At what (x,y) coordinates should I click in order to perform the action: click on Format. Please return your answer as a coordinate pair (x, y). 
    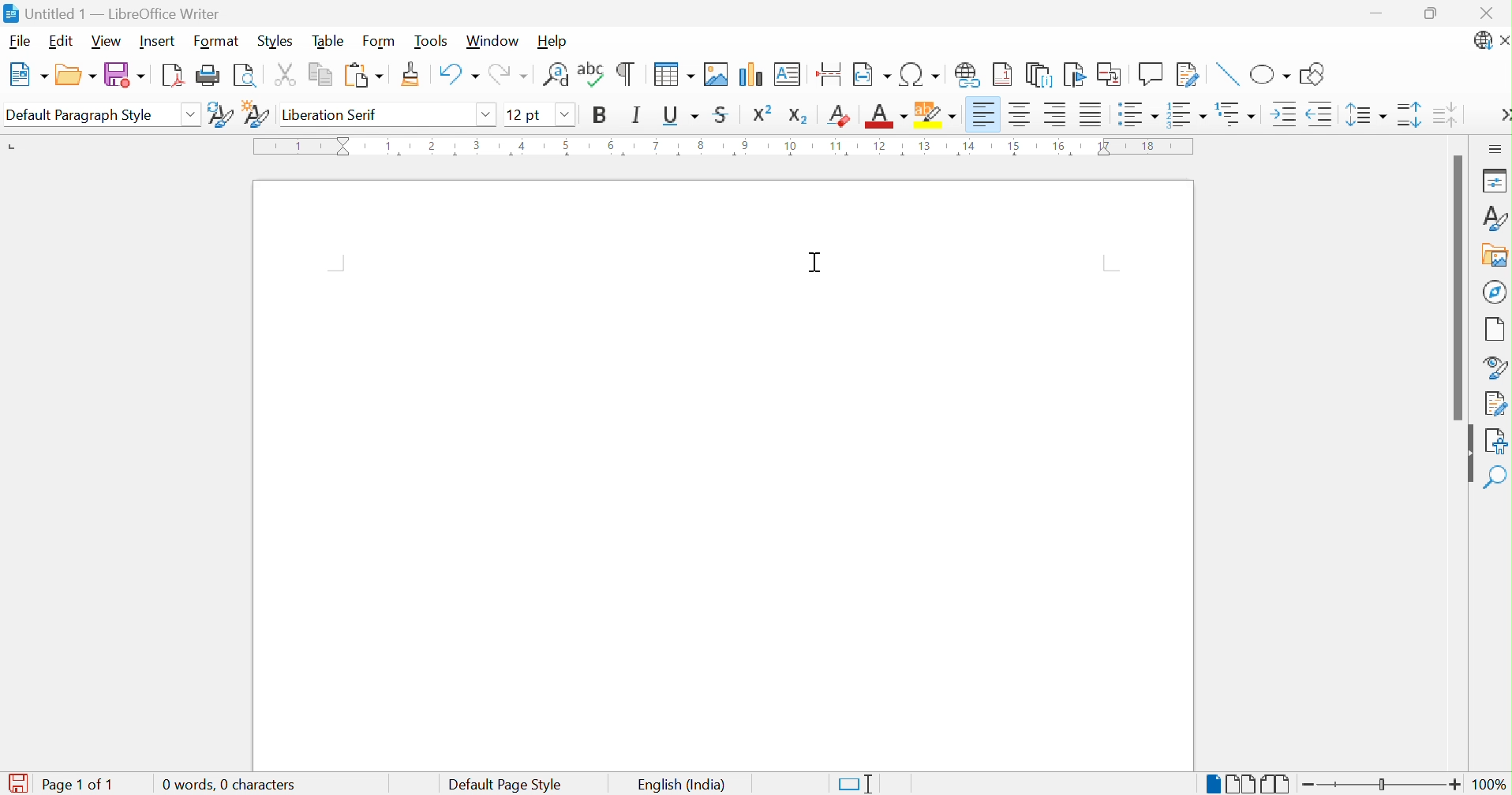
    Looking at the image, I should click on (215, 42).